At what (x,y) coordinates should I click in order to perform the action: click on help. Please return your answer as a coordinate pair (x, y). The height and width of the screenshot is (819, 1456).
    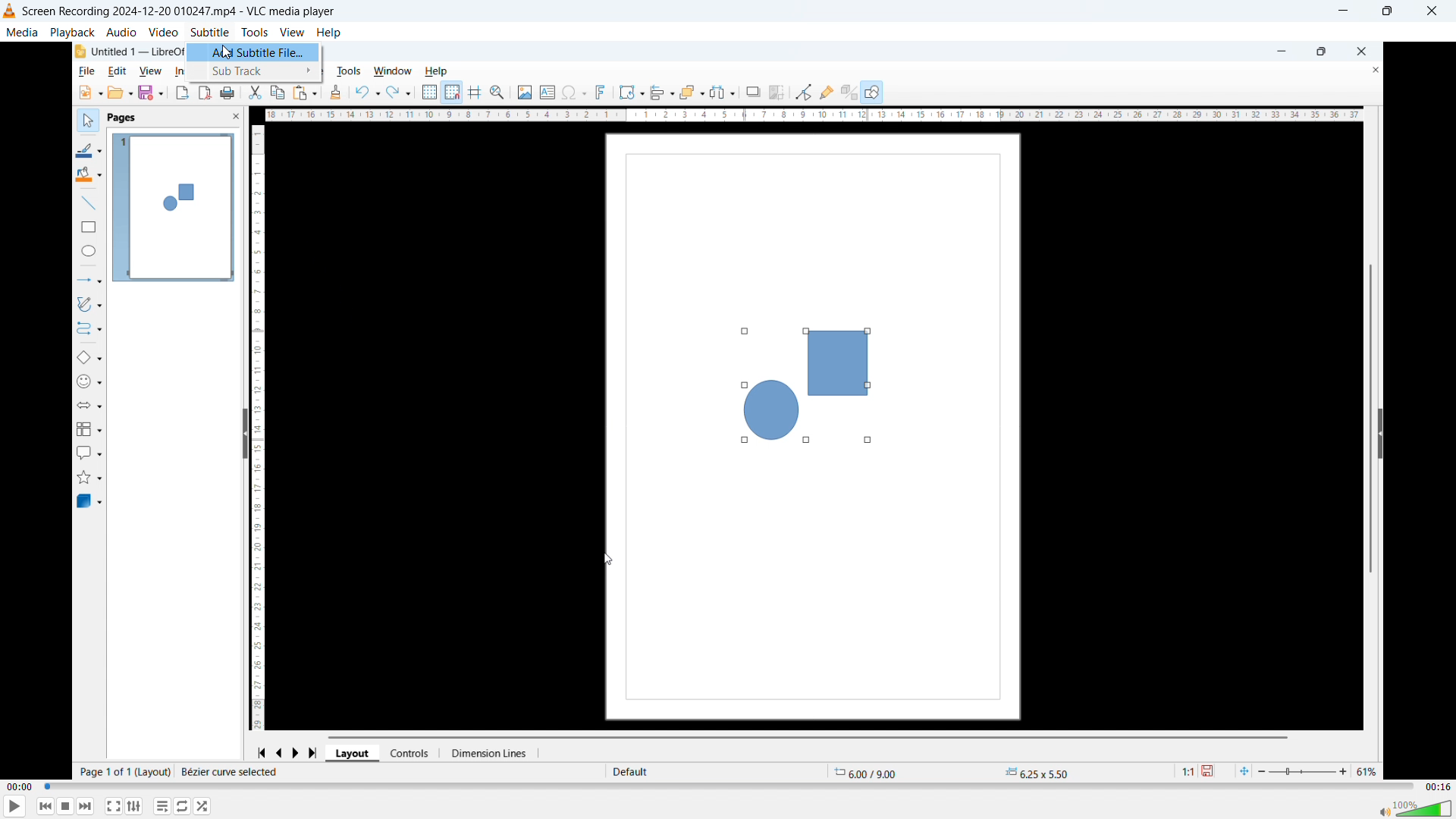
    Looking at the image, I should click on (440, 70).